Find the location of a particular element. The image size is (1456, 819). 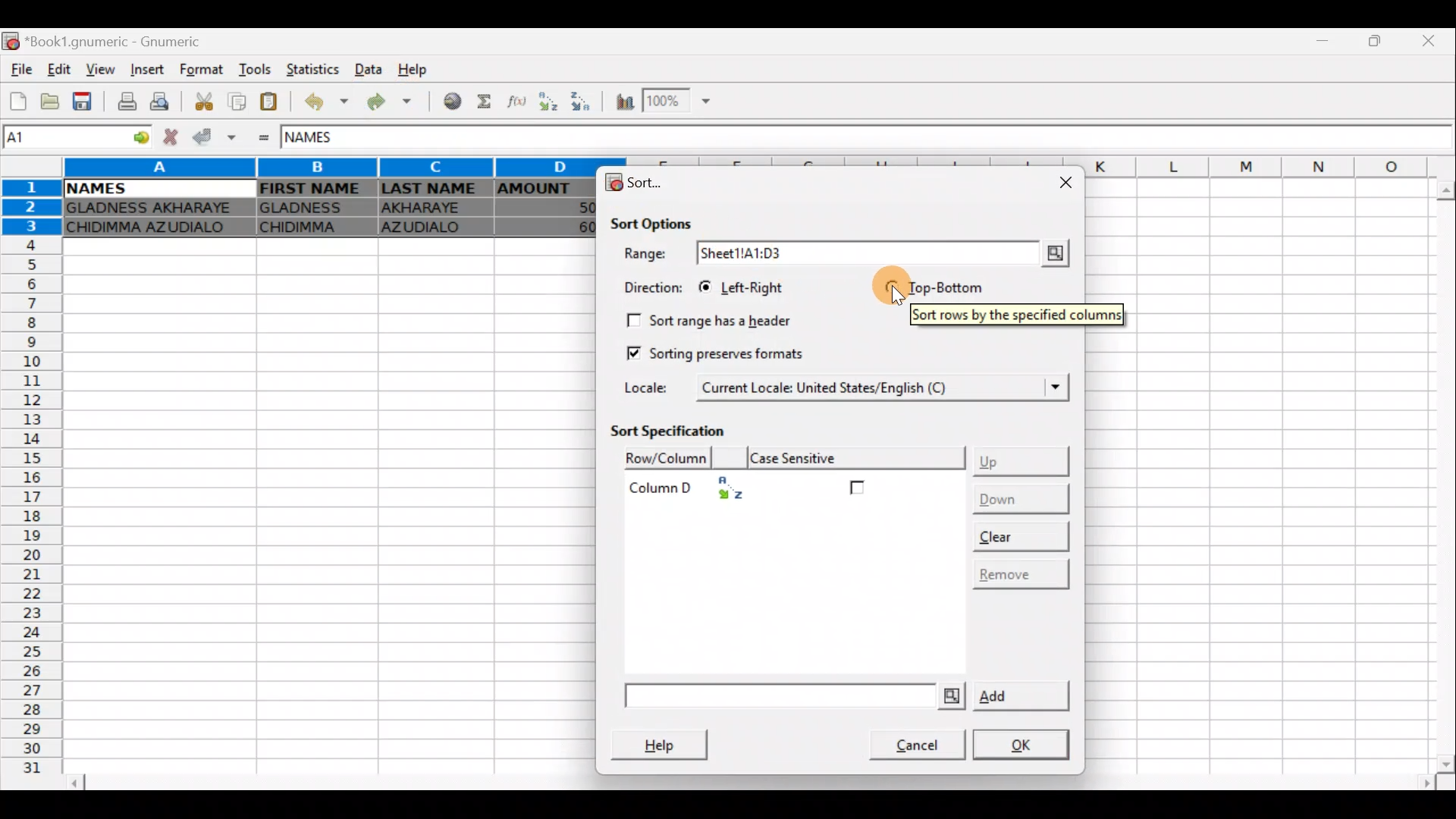

Accept change is located at coordinates (212, 137).